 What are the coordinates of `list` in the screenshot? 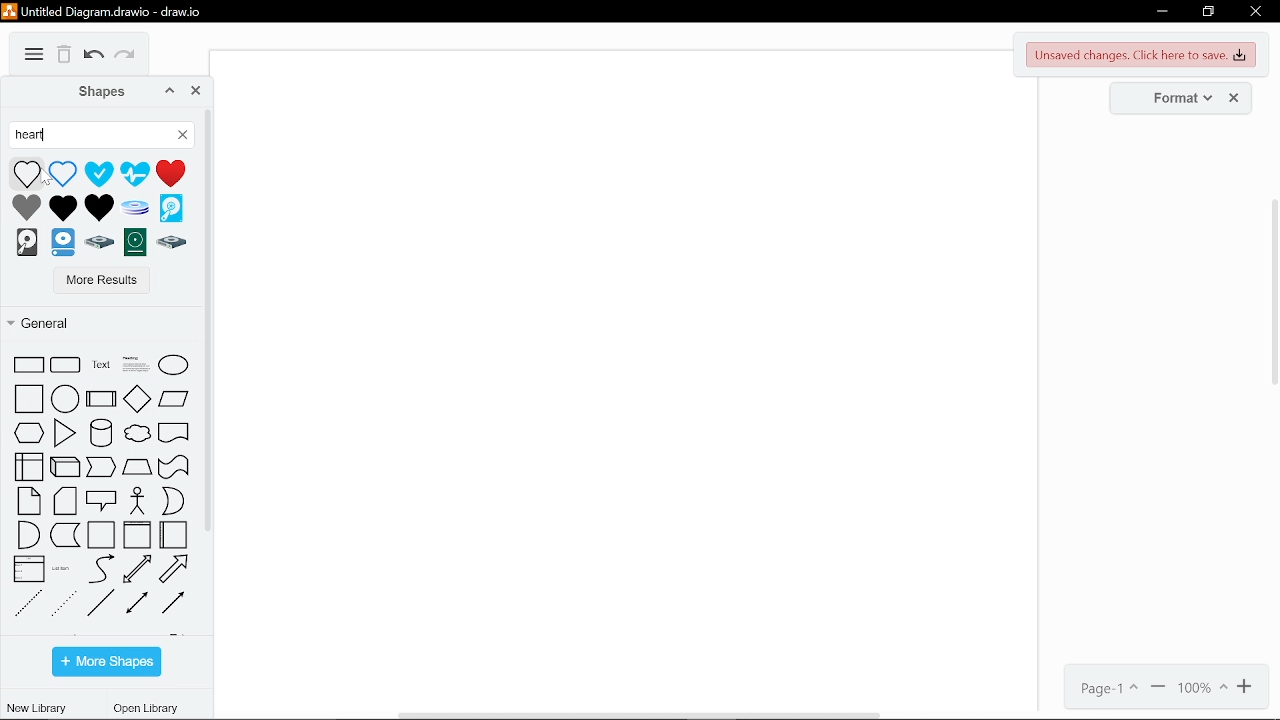 It's located at (29, 569).